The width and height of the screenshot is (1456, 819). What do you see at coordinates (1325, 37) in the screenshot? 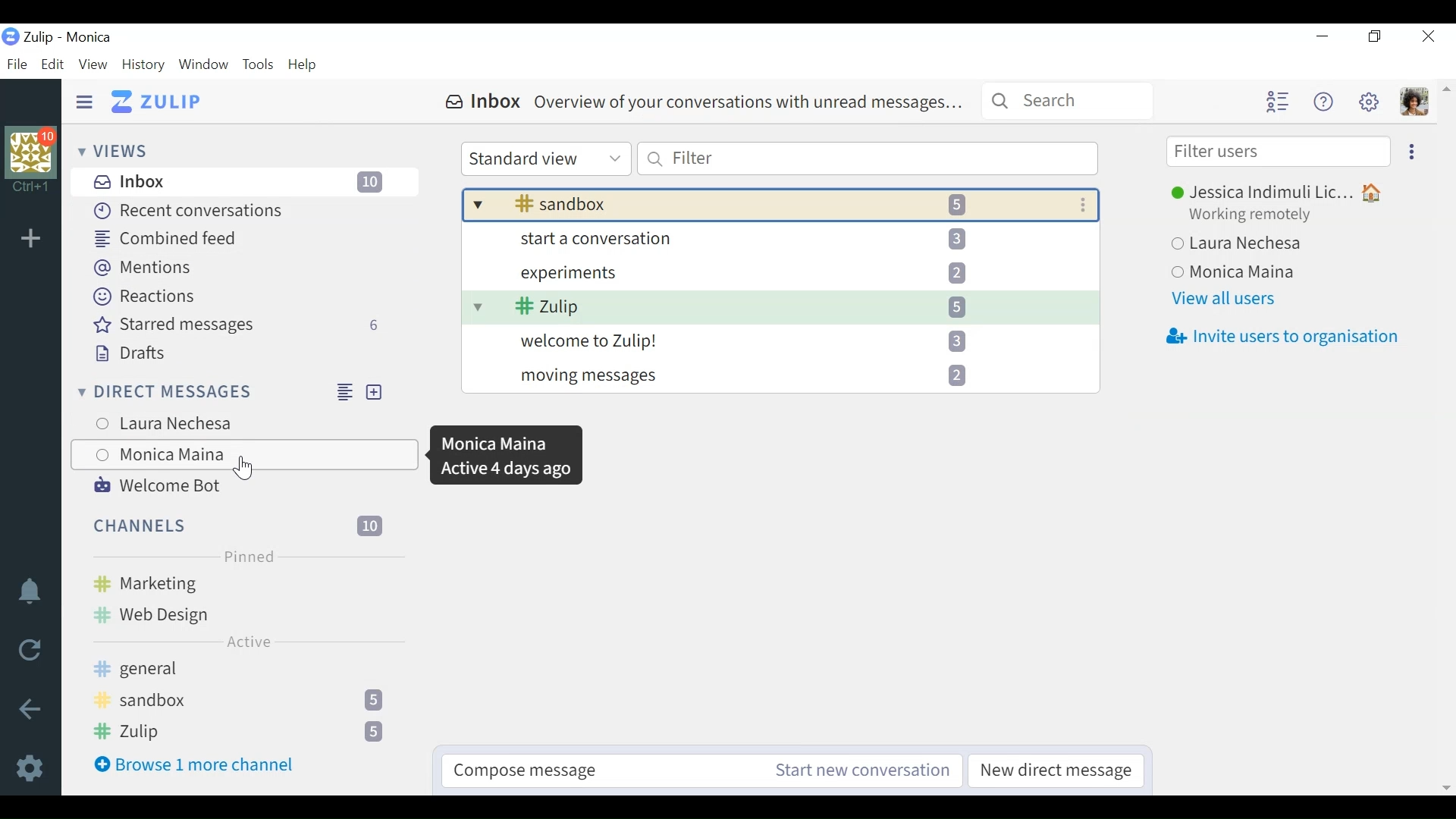
I see `minimize` at bounding box center [1325, 37].